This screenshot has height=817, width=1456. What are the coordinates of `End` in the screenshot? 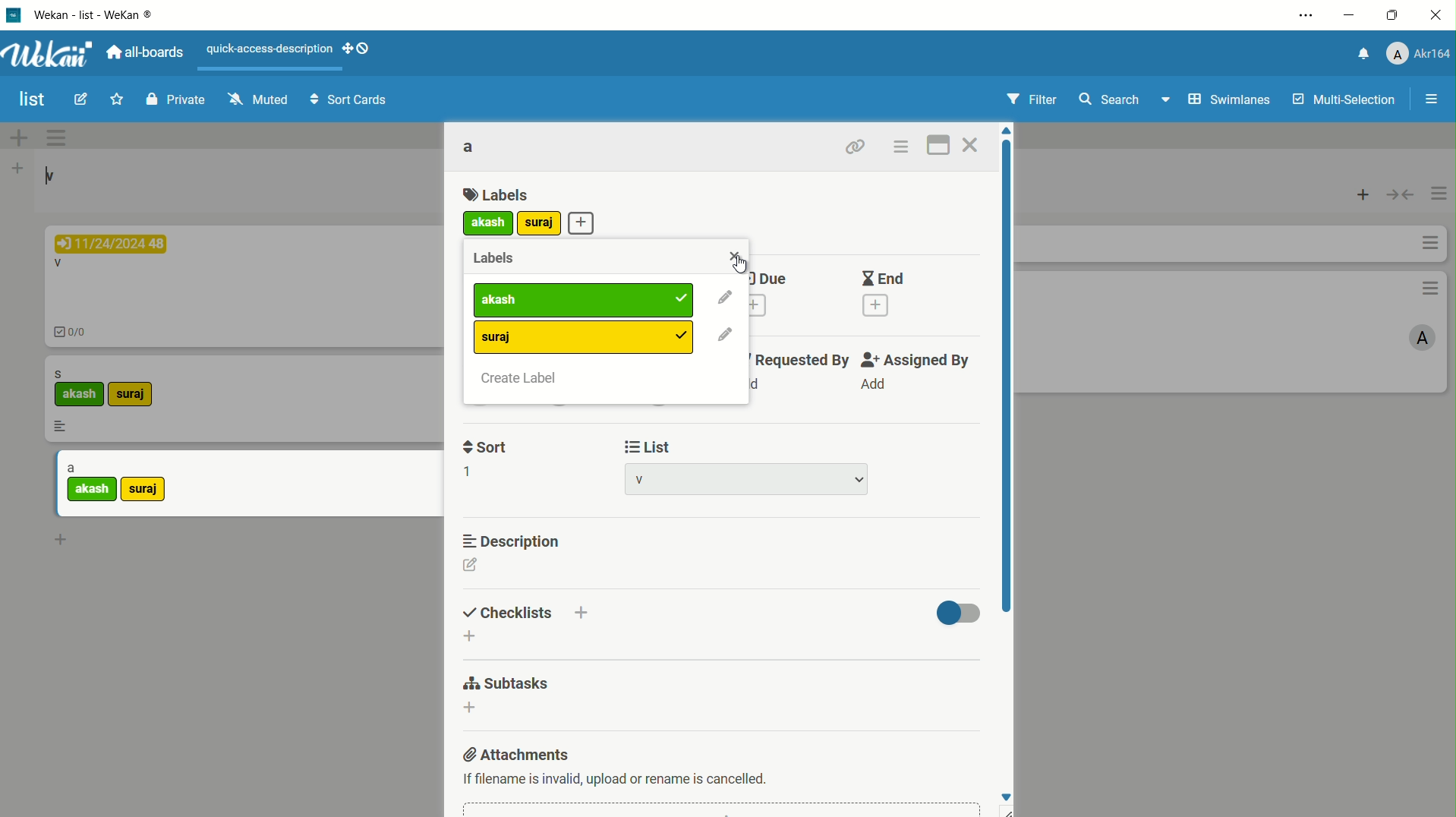 It's located at (892, 276).